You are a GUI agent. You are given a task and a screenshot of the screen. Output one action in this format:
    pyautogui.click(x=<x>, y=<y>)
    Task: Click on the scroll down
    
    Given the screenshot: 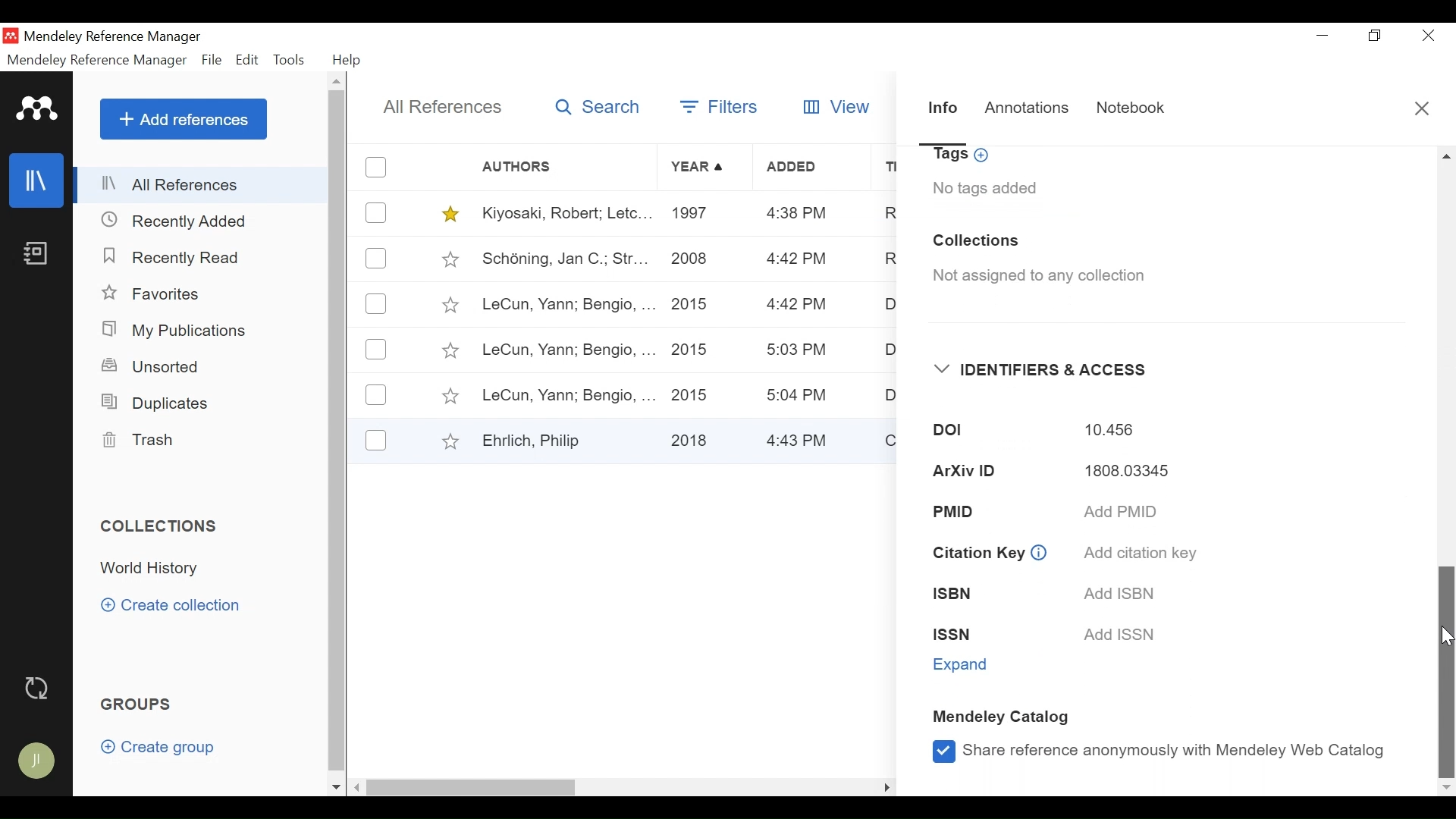 What is the action you would take?
    pyautogui.click(x=1447, y=789)
    